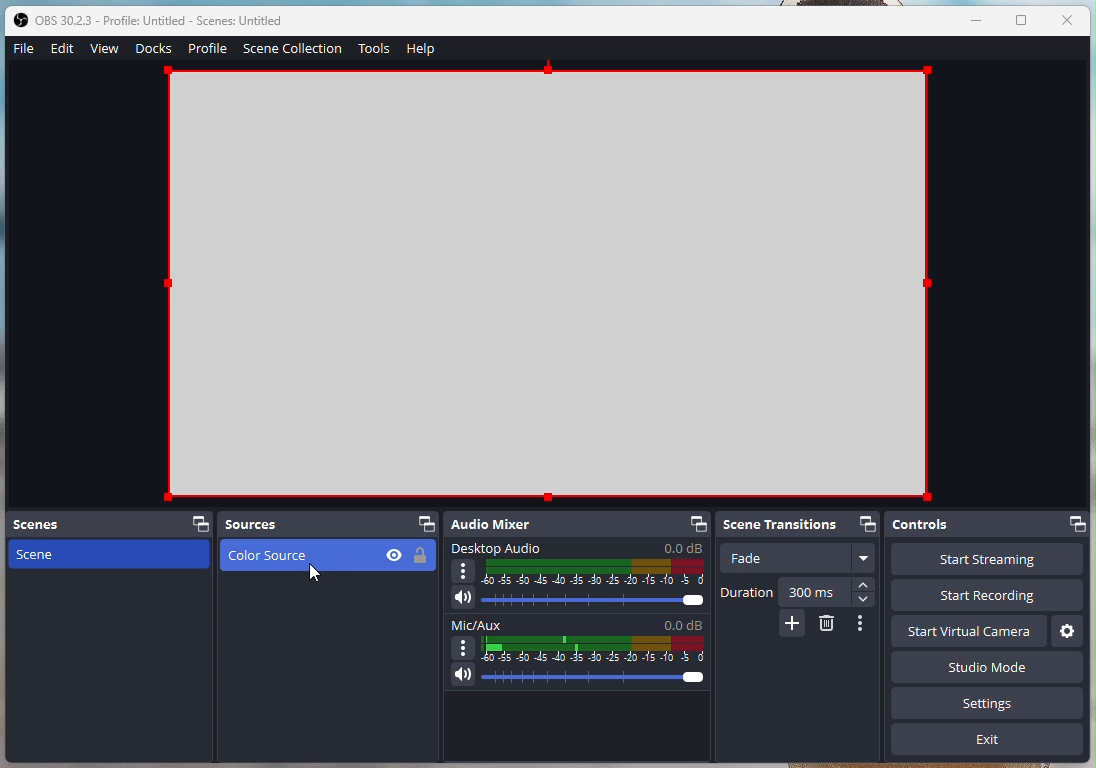 This screenshot has height=768, width=1096. I want to click on Start recording, so click(993, 597).